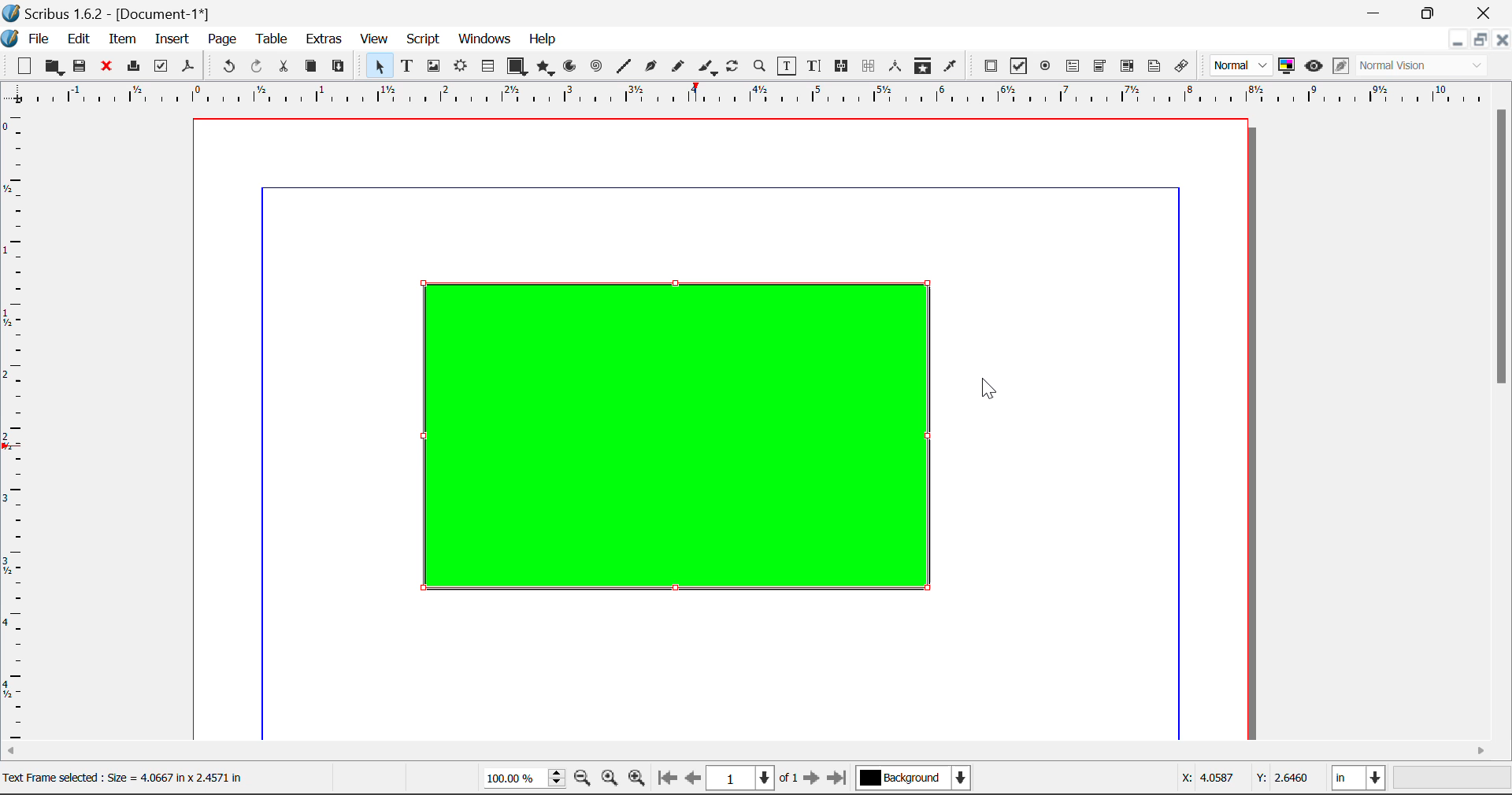  What do you see at coordinates (951, 65) in the screenshot?
I see `Eyedropper` at bounding box center [951, 65].